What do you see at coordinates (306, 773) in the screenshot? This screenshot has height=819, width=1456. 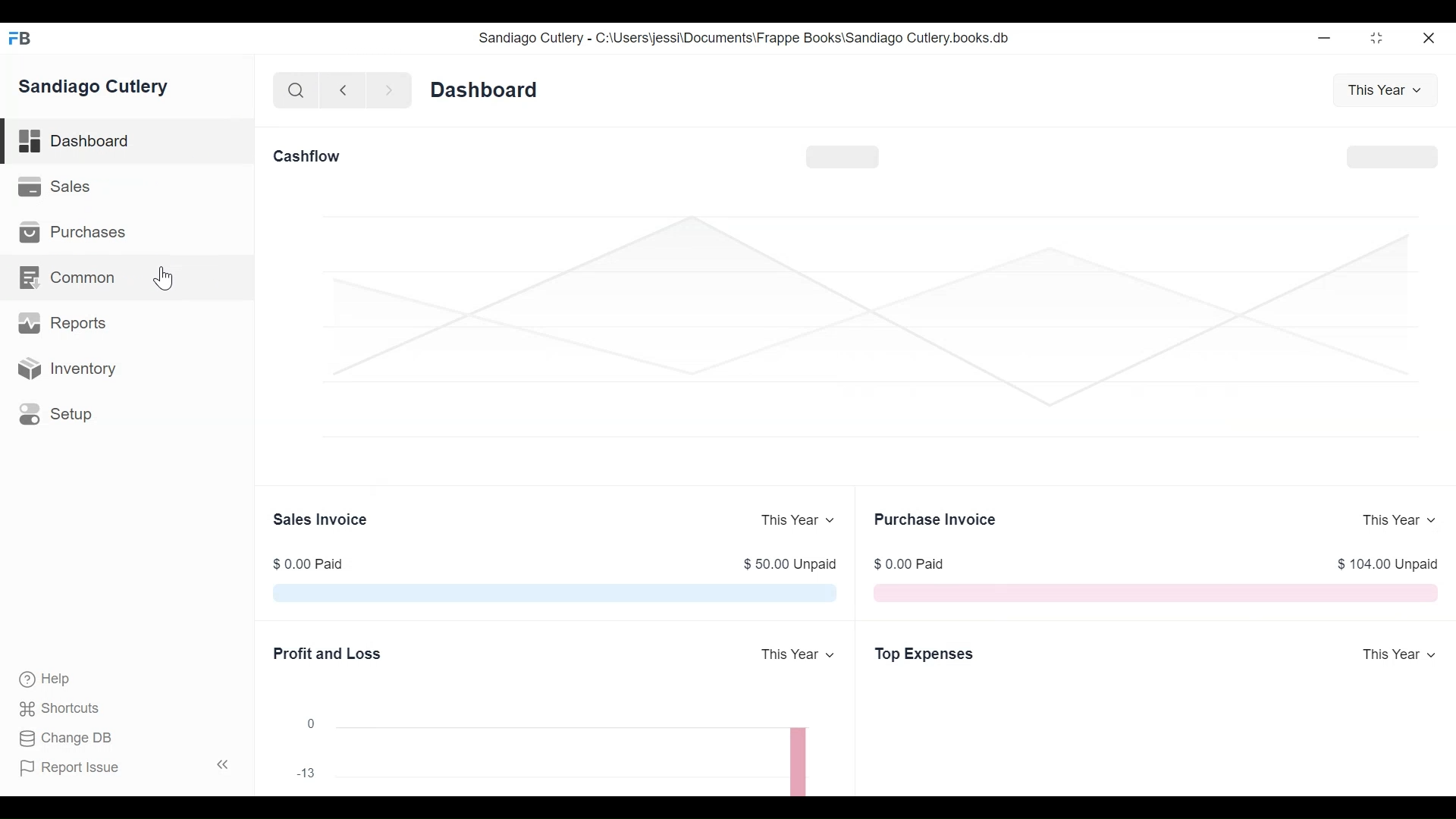 I see `-13` at bounding box center [306, 773].